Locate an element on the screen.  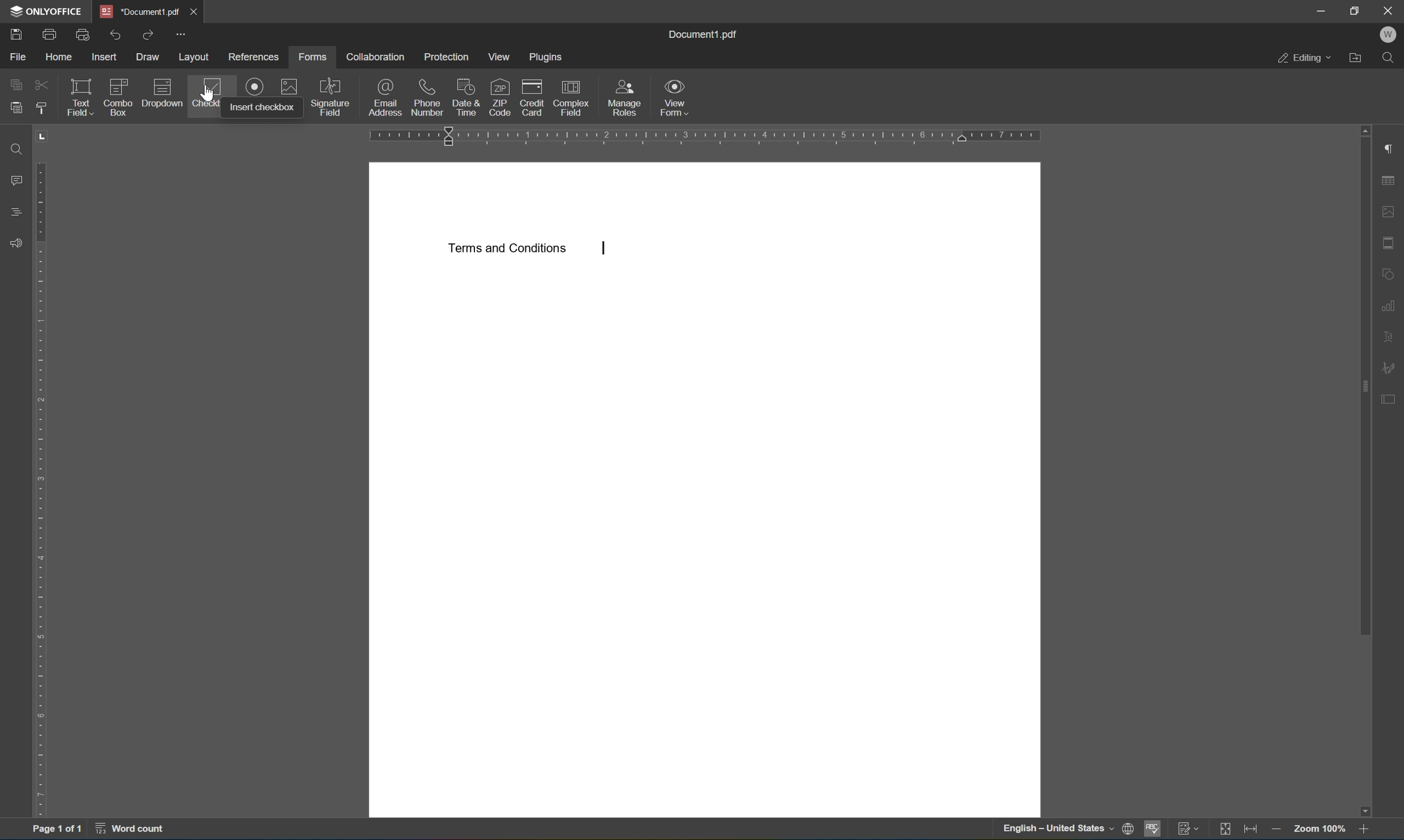
close is located at coordinates (1389, 10).